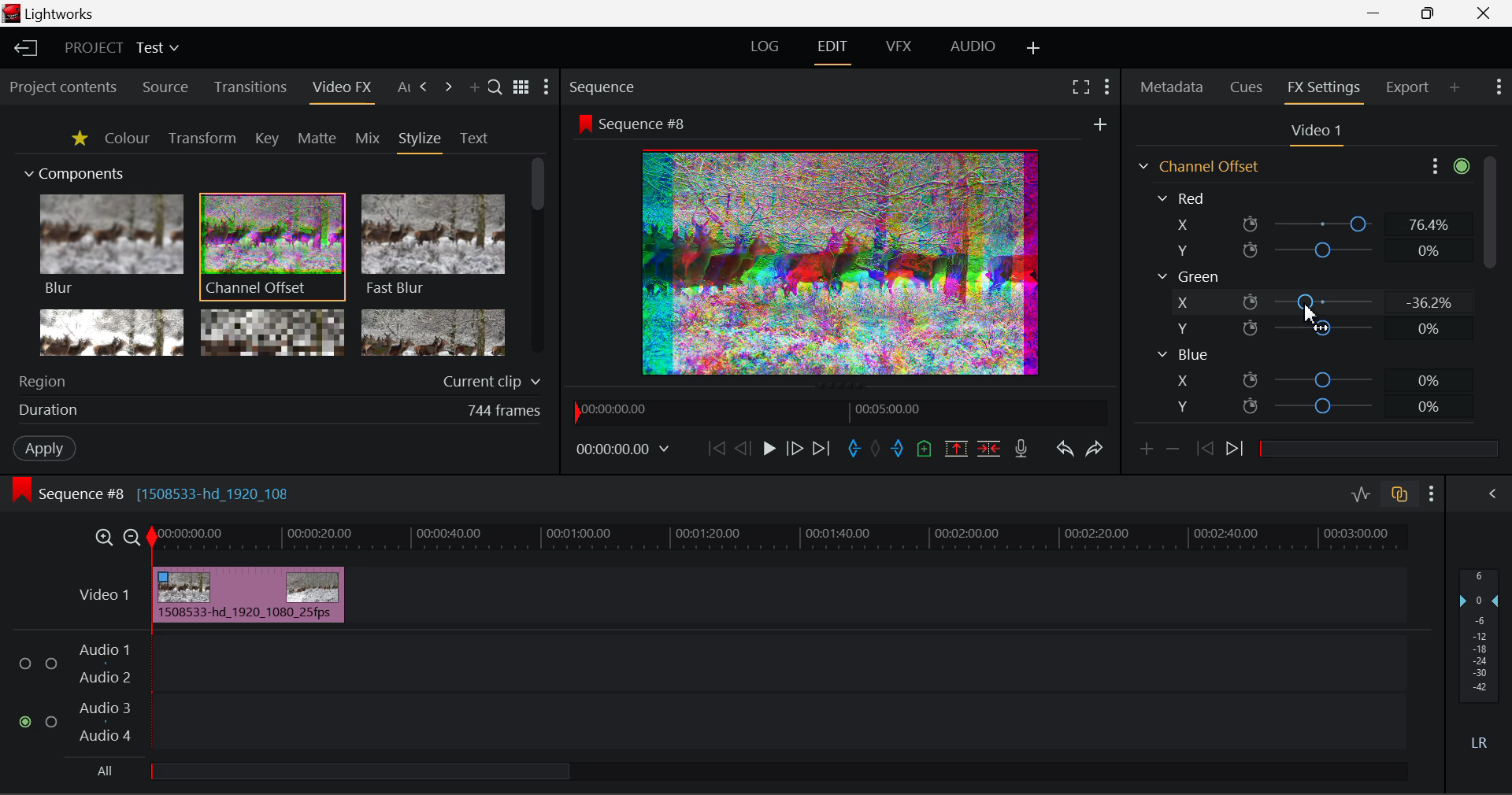  What do you see at coordinates (1183, 355) in the screenshot?
I see `Blue` at bounding box center [1183, 355].